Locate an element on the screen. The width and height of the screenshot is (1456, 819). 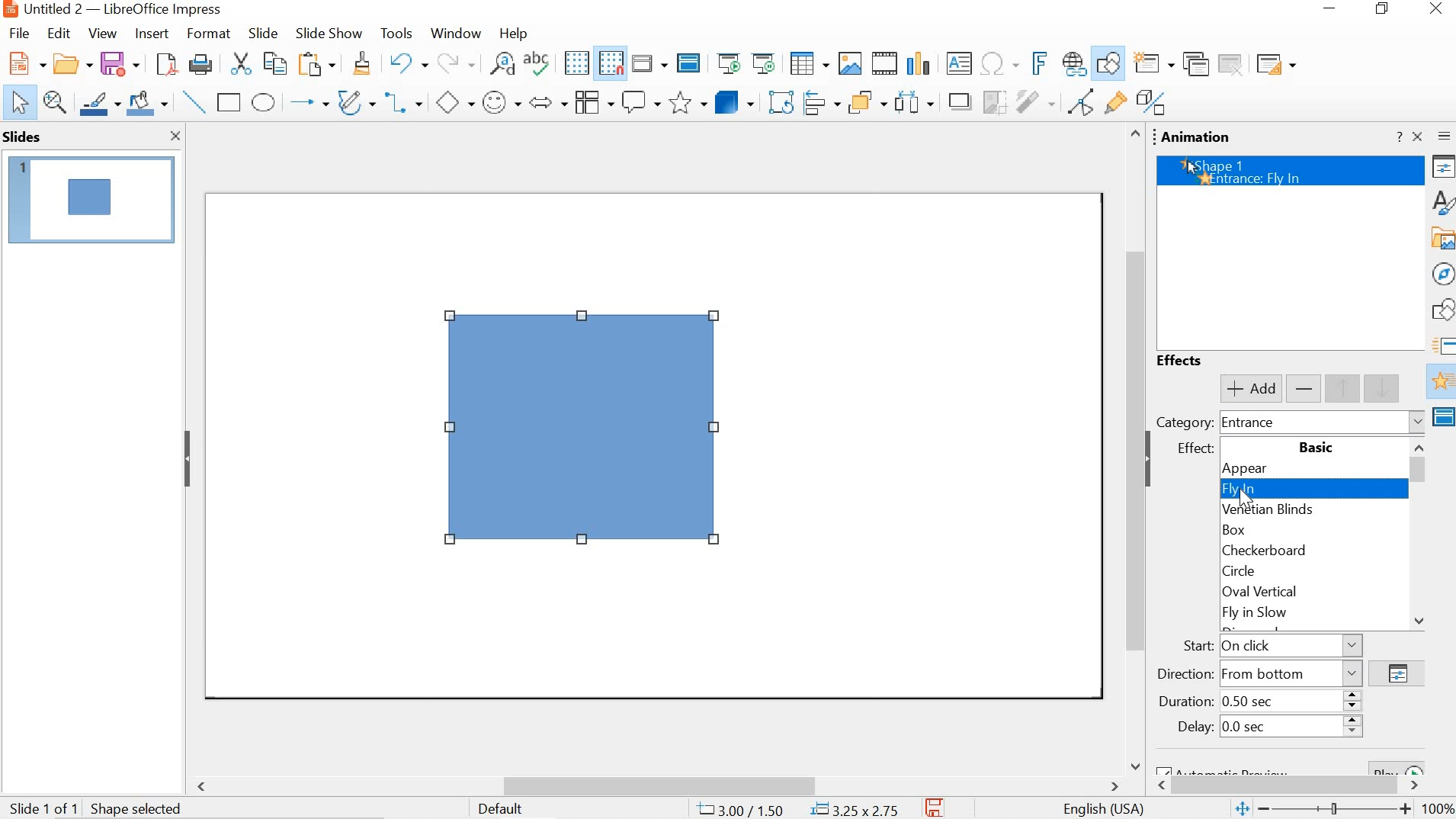
English(USA) is located at coordinates (1099, 808).